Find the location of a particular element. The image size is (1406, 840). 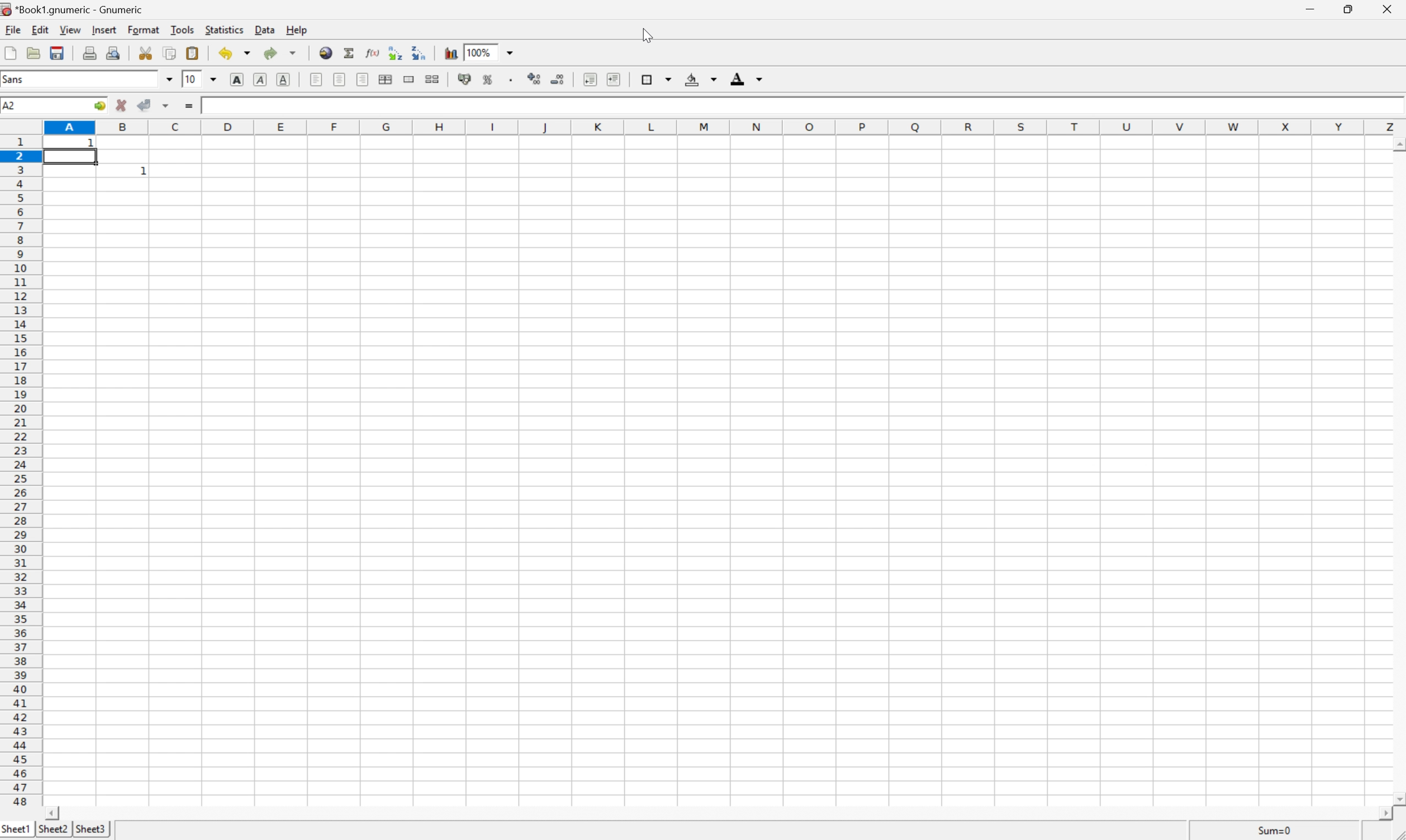

foreground is located at coordinates (746, 79).